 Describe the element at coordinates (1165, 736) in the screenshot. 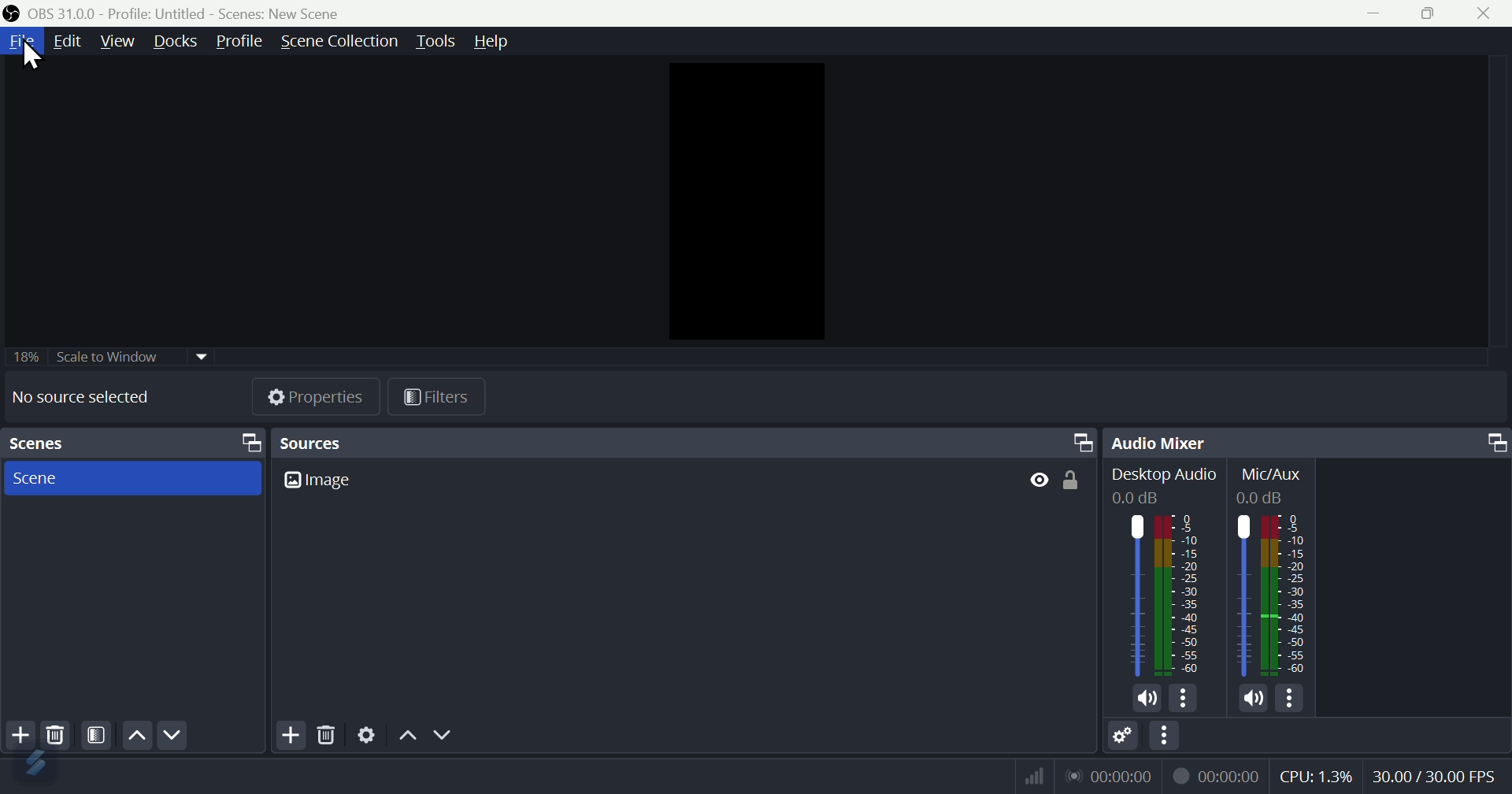

I see `More options` at that location.